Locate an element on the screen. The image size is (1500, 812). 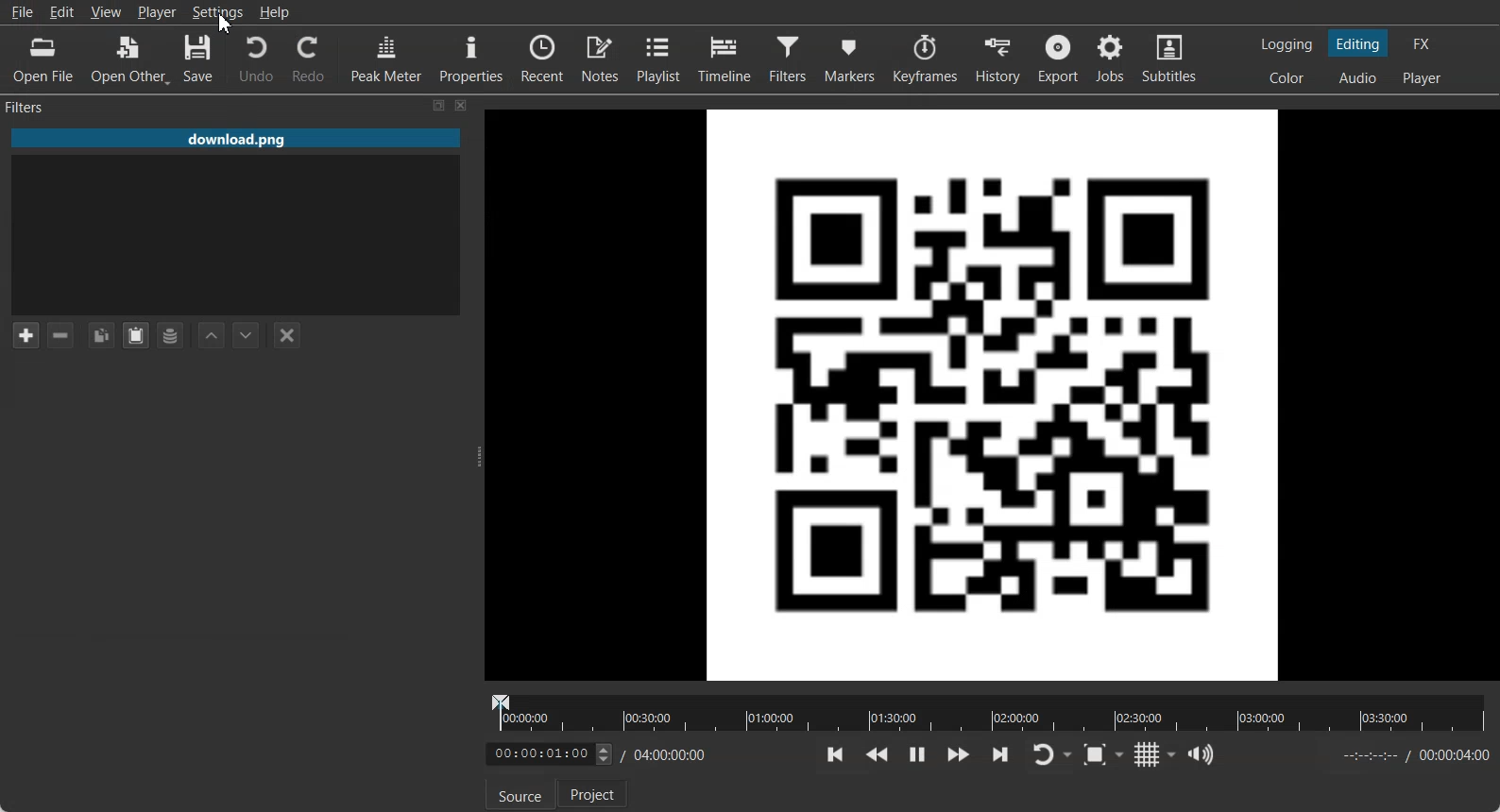
Markers is located at coordinates (848, 59).